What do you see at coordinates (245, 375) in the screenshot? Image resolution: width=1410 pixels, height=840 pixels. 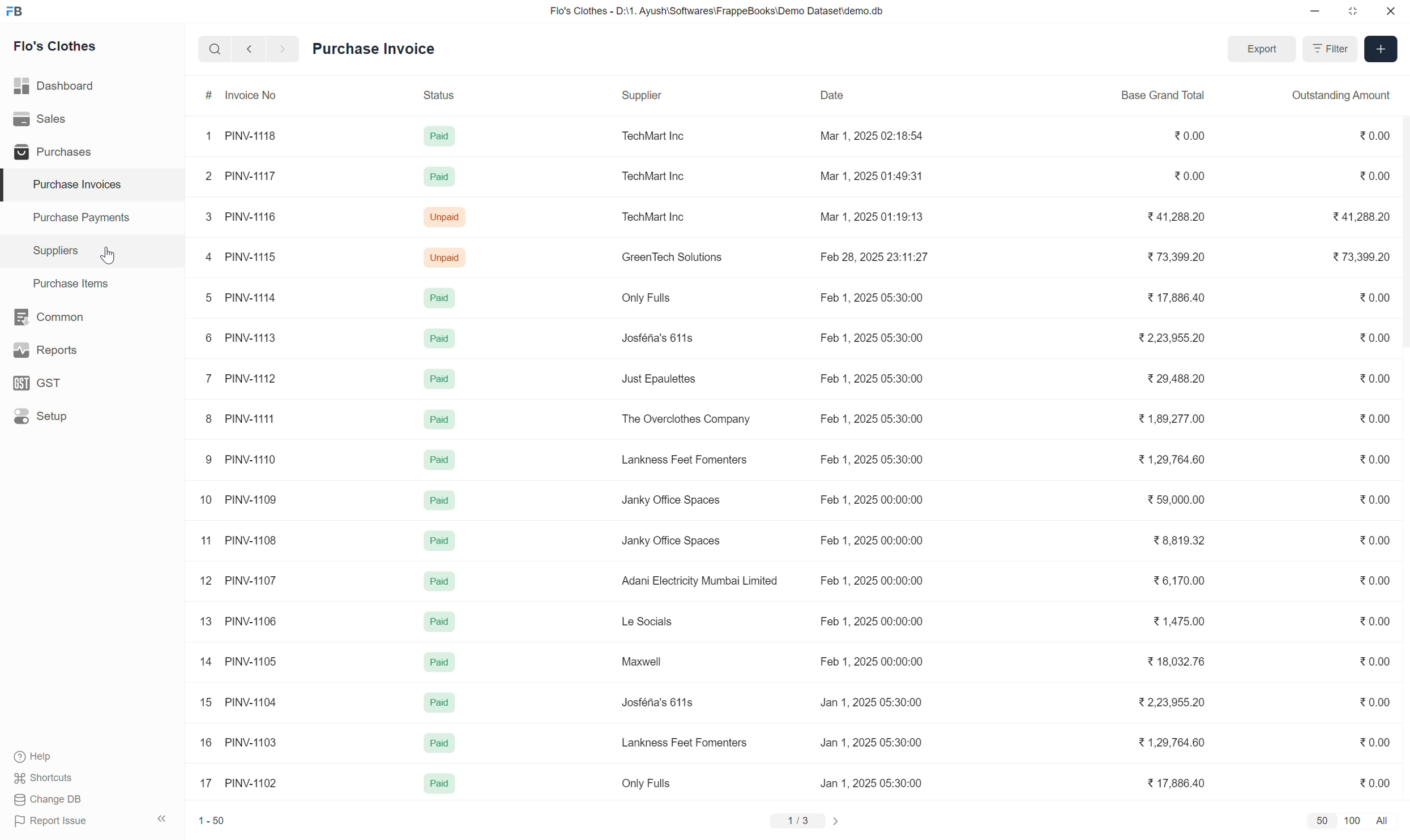 I see `7  PINV-1112` at bounding box center [245, 375].